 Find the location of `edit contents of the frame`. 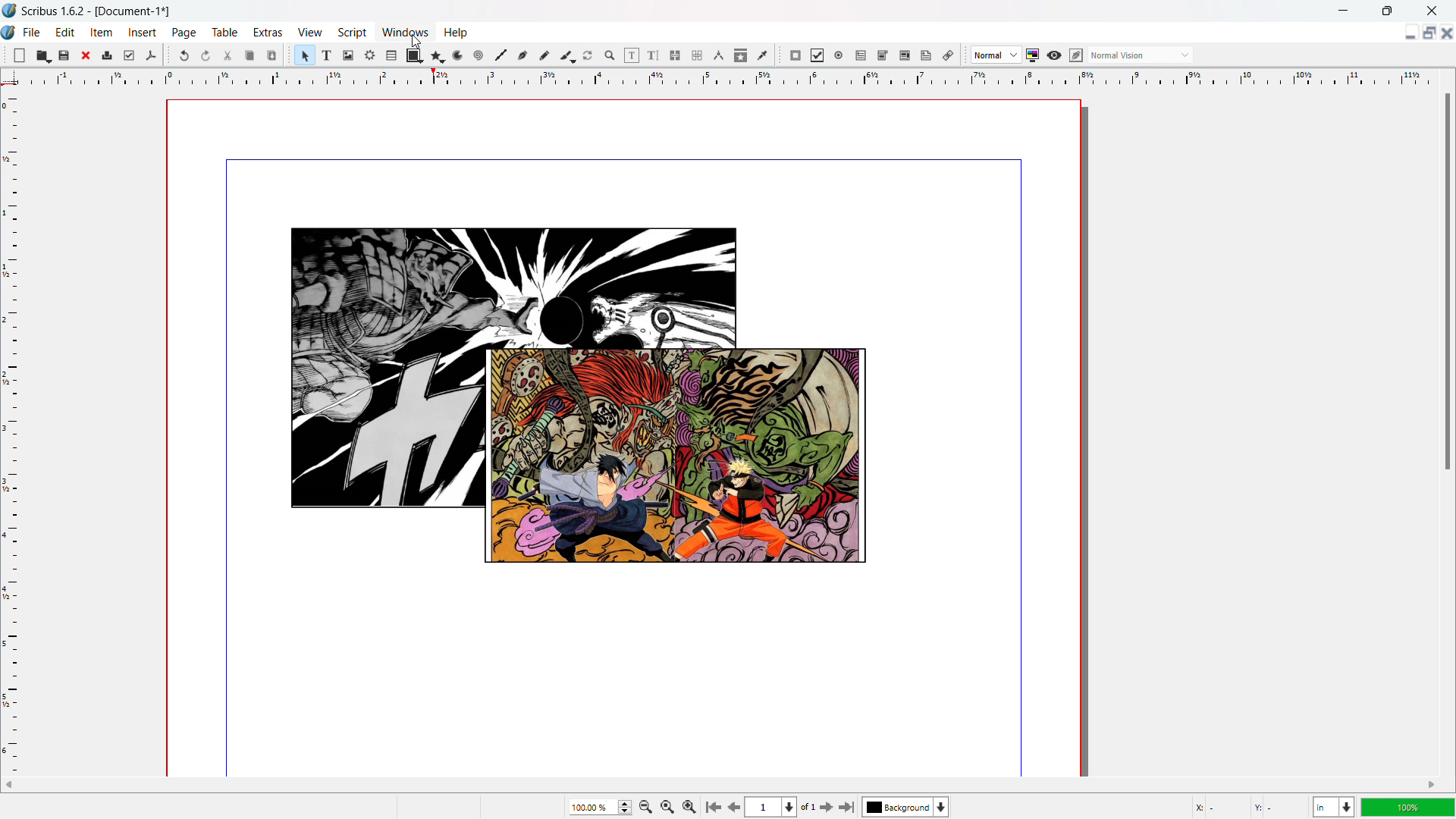

edit contents of the frame is located at coordinates (632, 55).